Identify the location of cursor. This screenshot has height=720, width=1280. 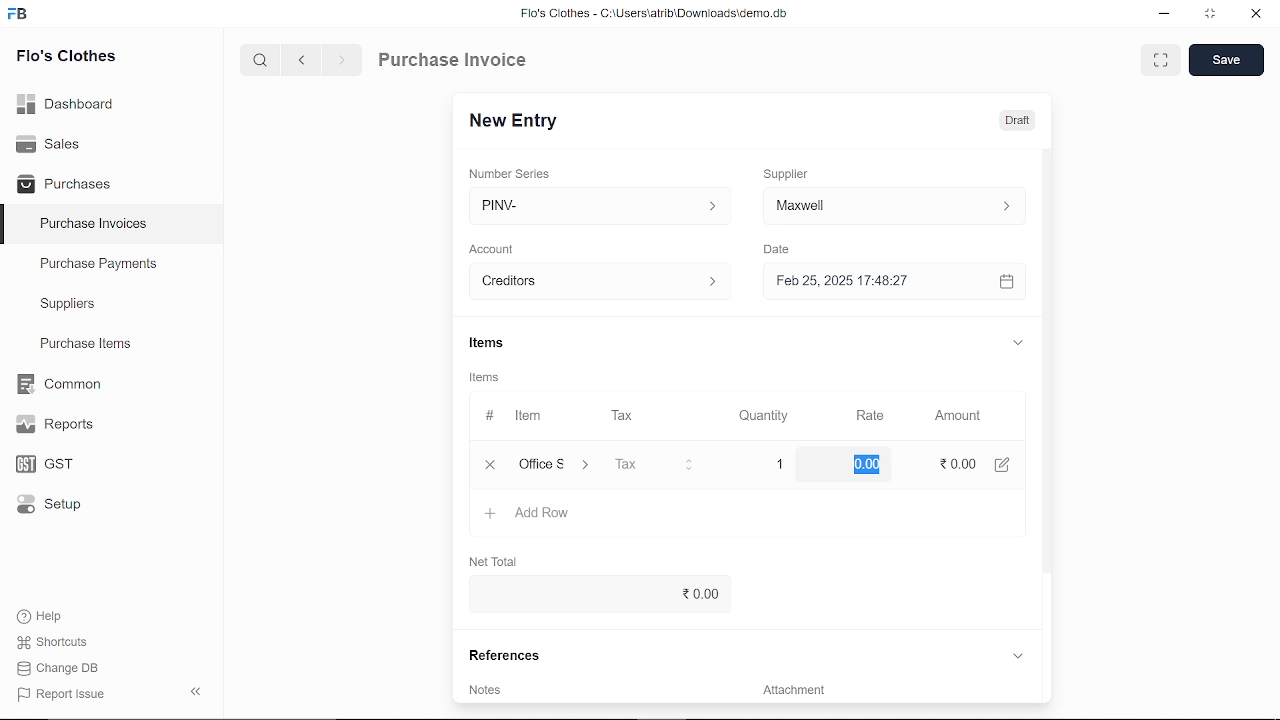
(871, 464).